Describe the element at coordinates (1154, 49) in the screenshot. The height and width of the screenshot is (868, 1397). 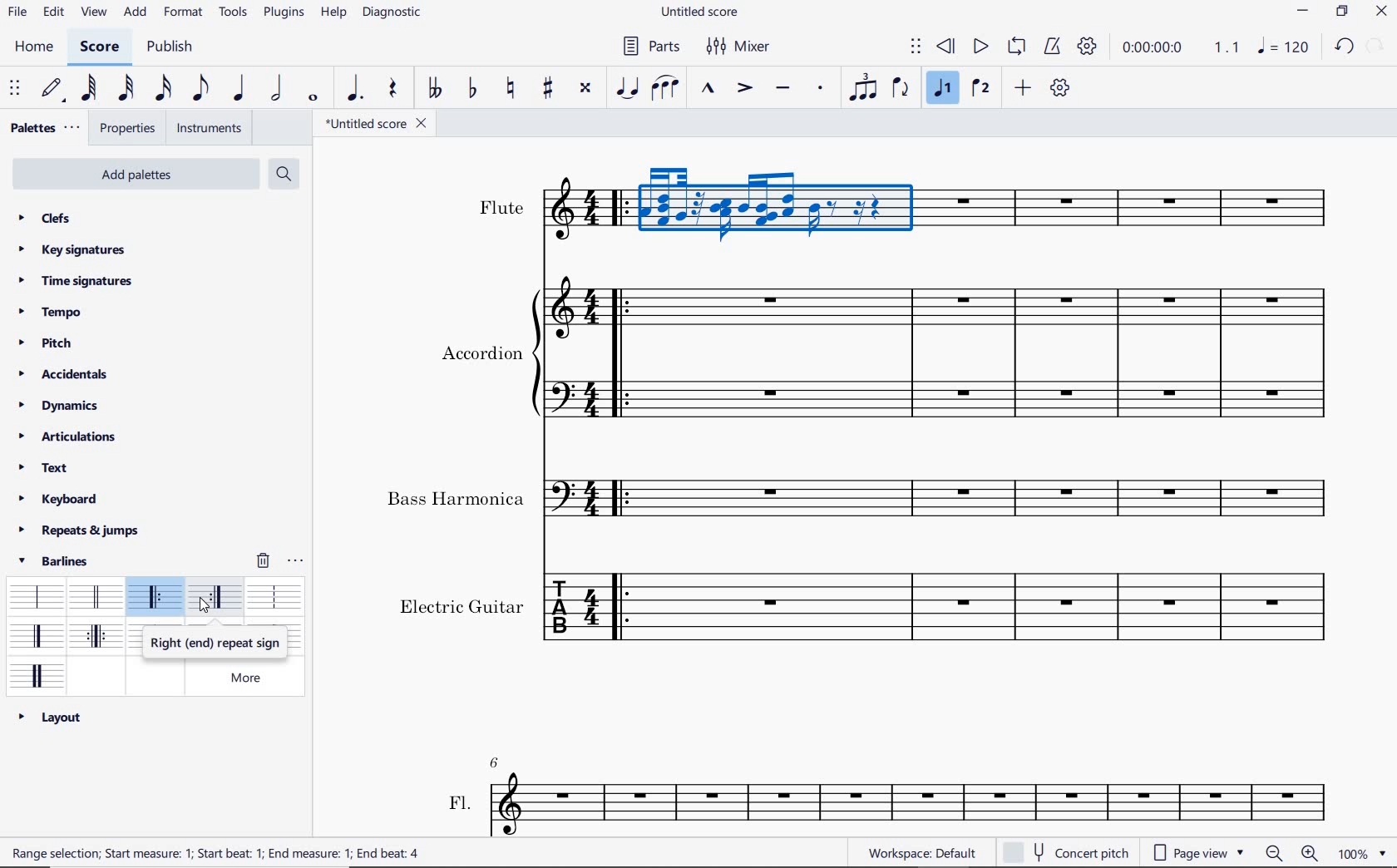
I see `playback time` at that location.